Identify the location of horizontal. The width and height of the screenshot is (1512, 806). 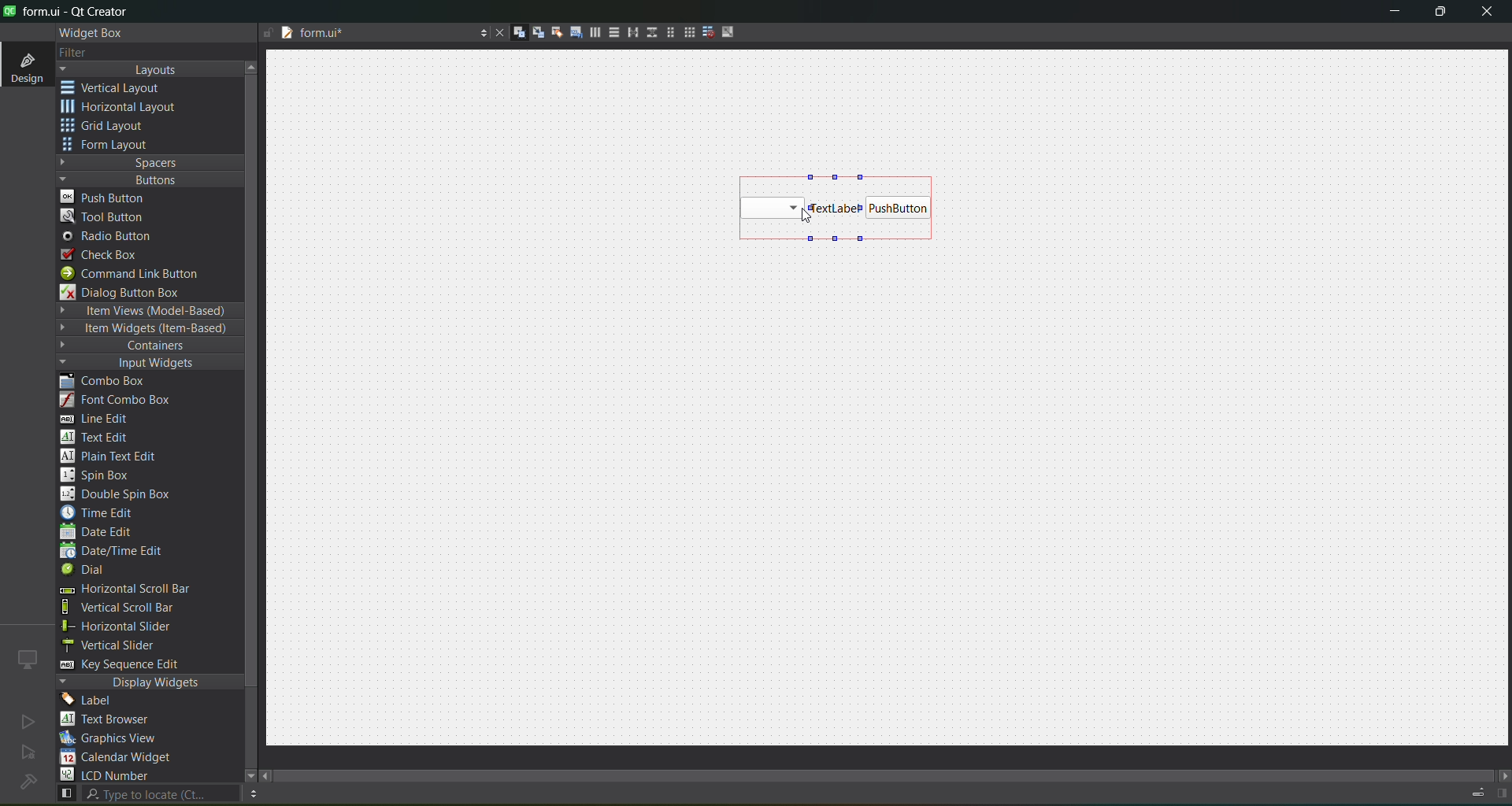
(122, 109).